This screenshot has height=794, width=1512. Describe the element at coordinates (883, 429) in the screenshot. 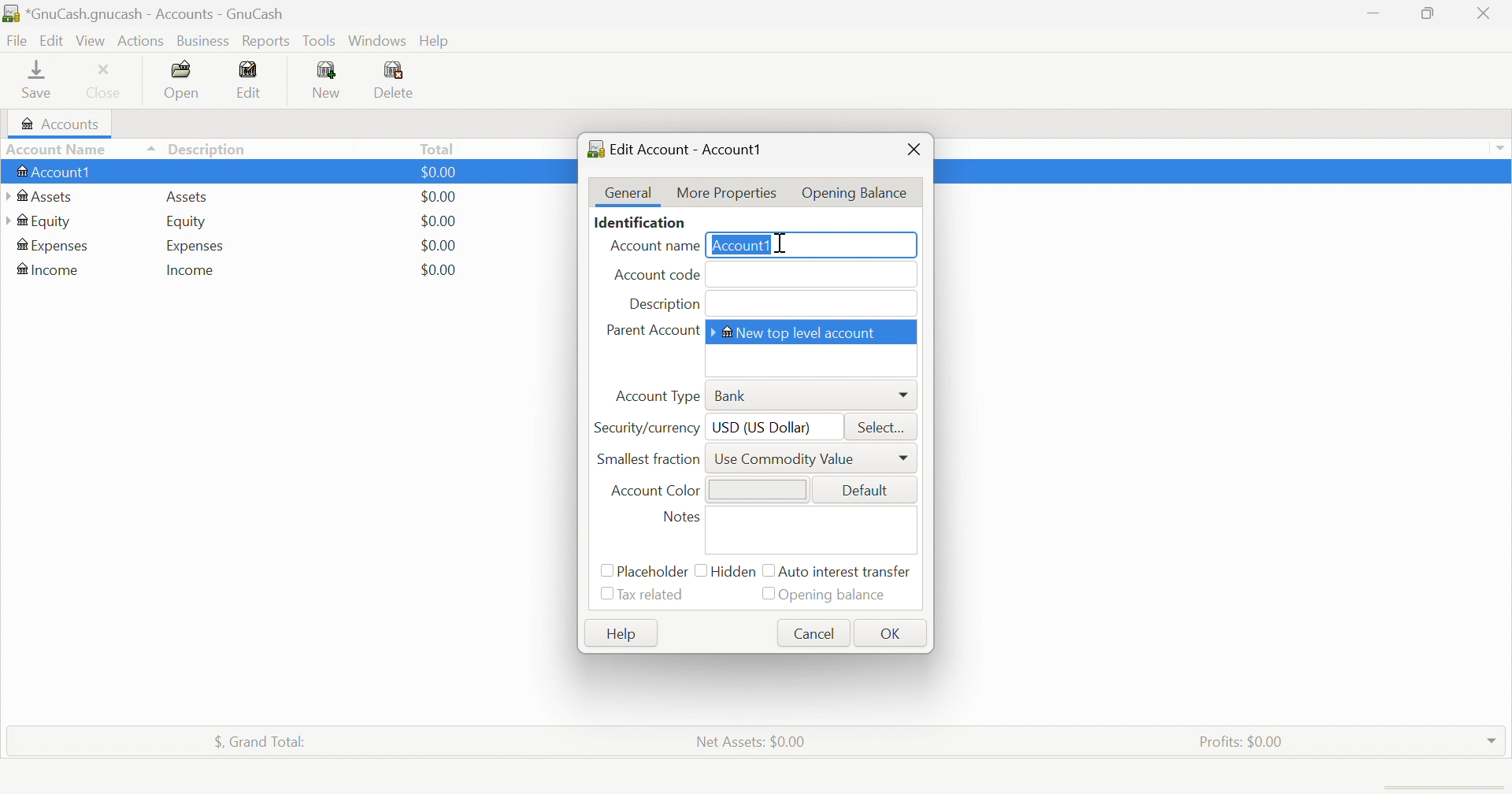

I see `Select...` at that location.